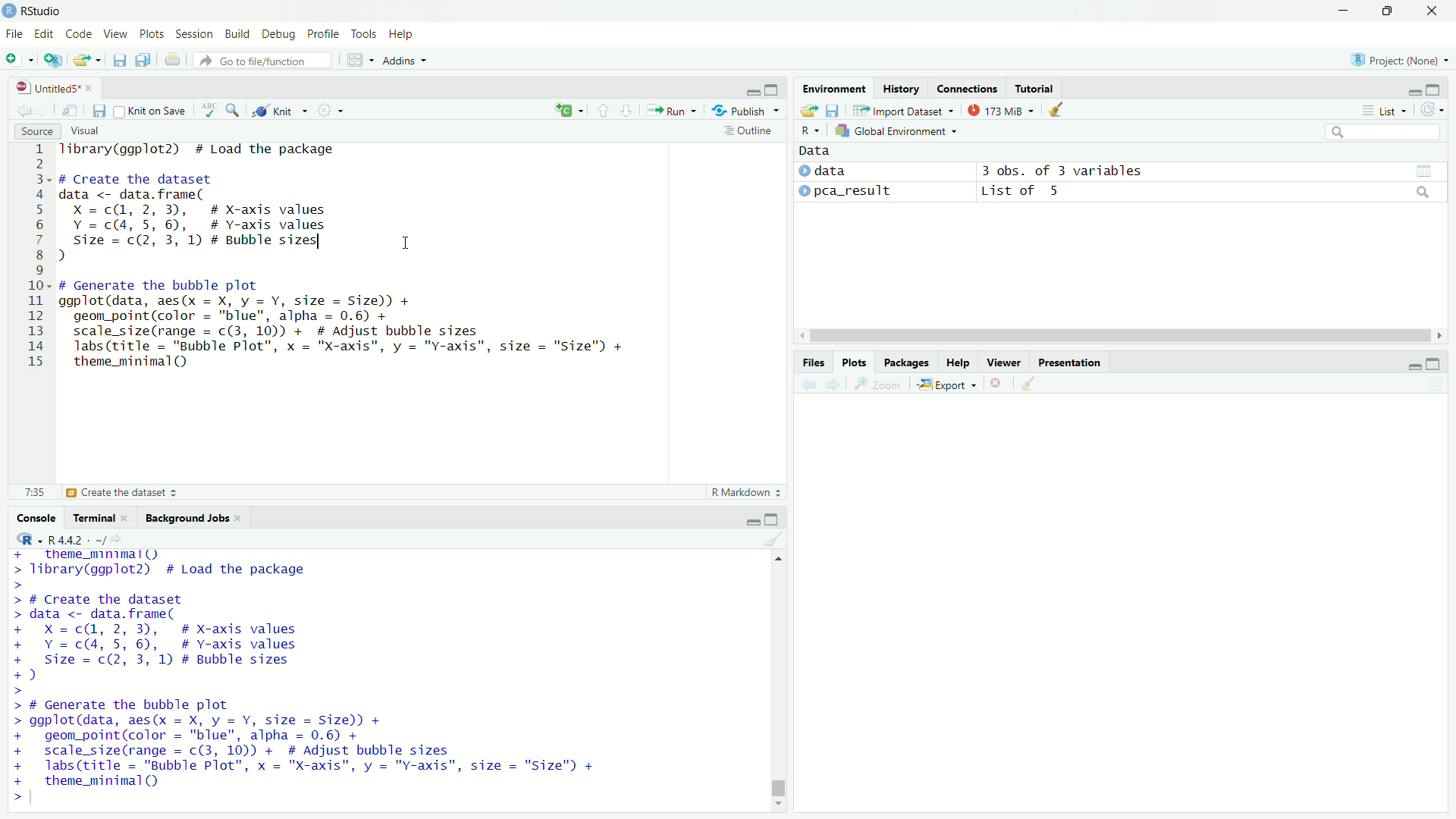 The height and width of the screenshot is (819, 1456). Describe the element at coordinates (815, 362) in the screenshot. I see `files` at that location.